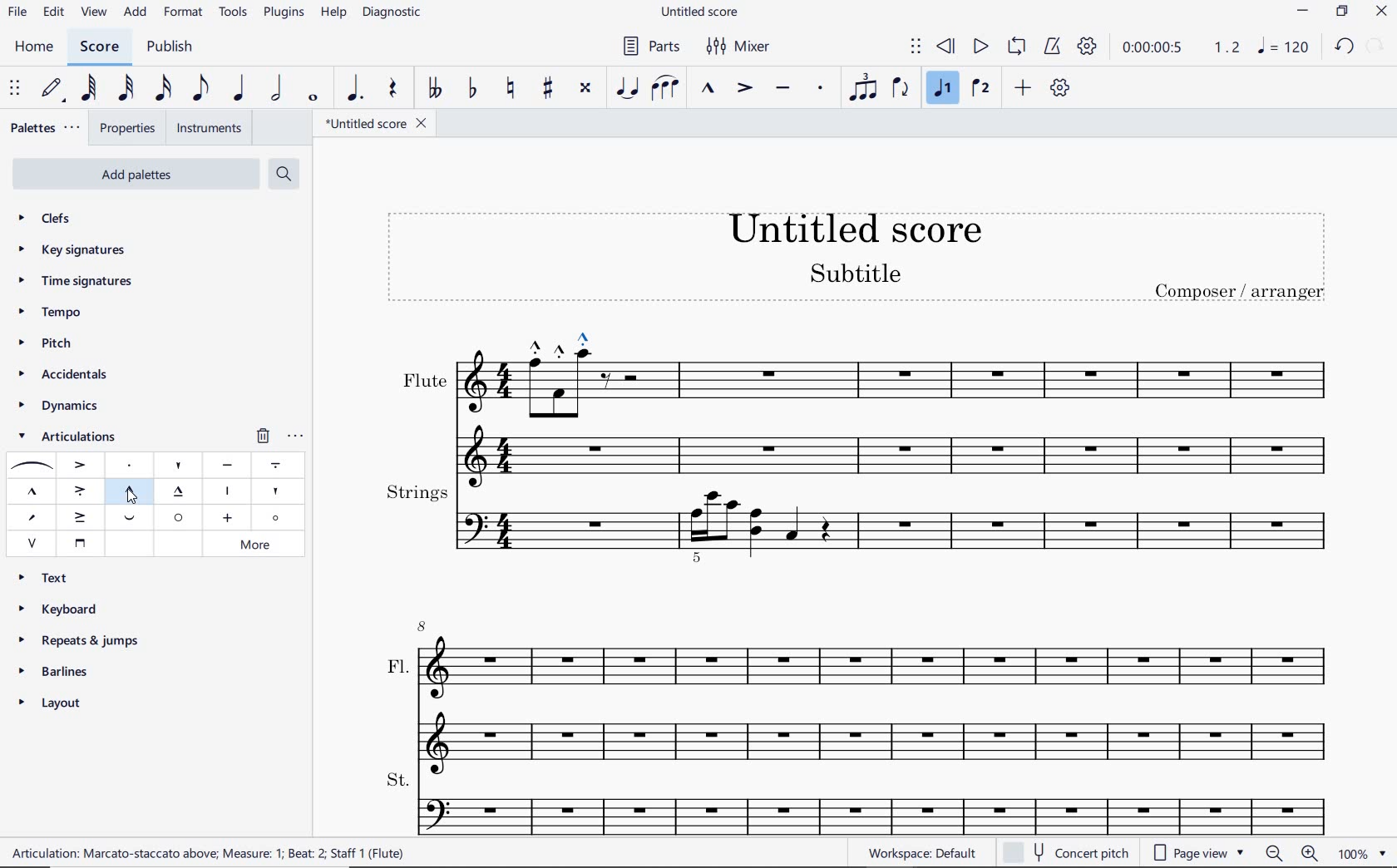 Image resolution: width=1397 pixels, height=868 pixels. Describe the element at coordinates (128, 501) in the screenshot. I see `cursor` at that location.